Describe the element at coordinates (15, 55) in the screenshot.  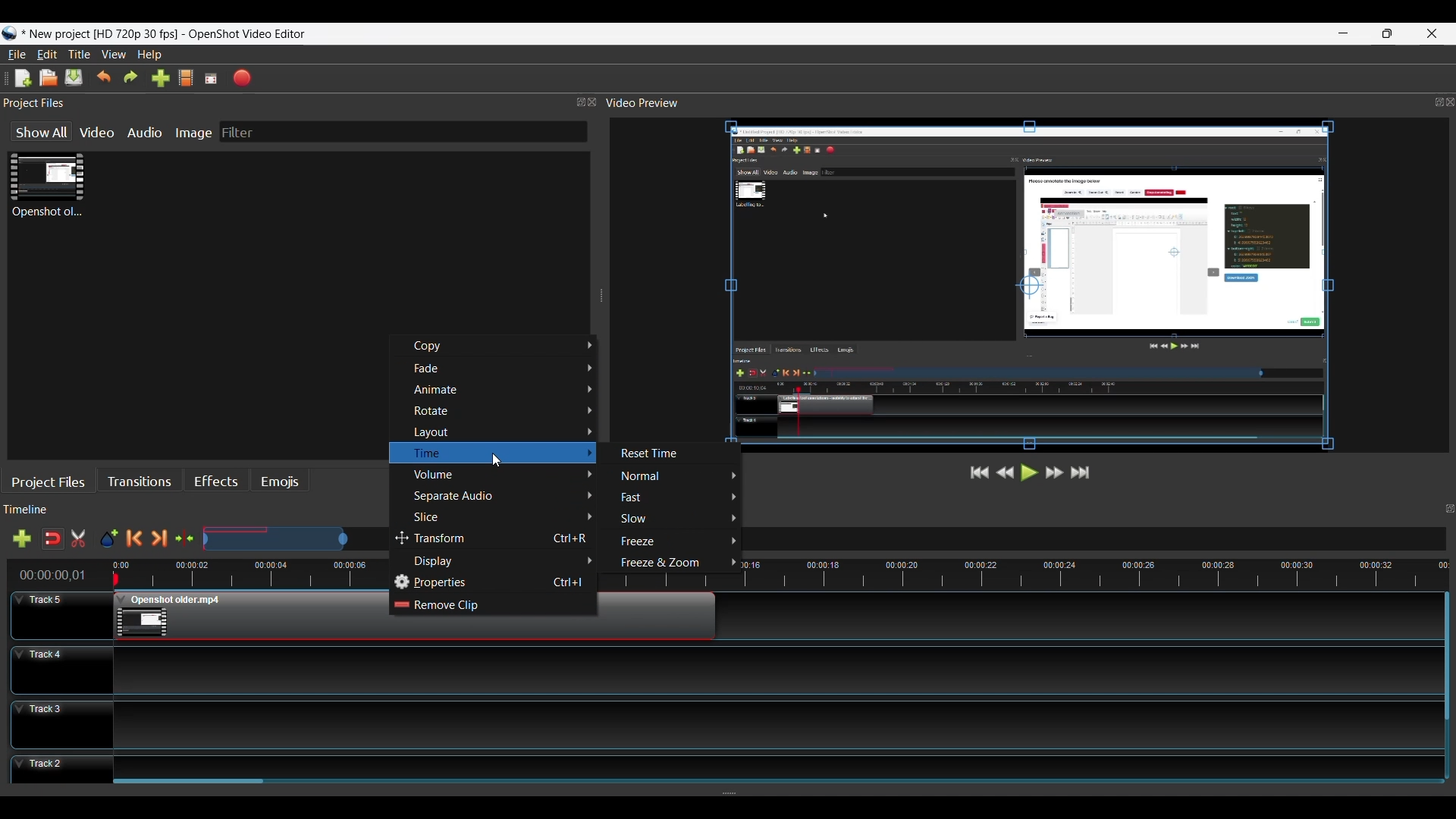
I see `File` at that location.